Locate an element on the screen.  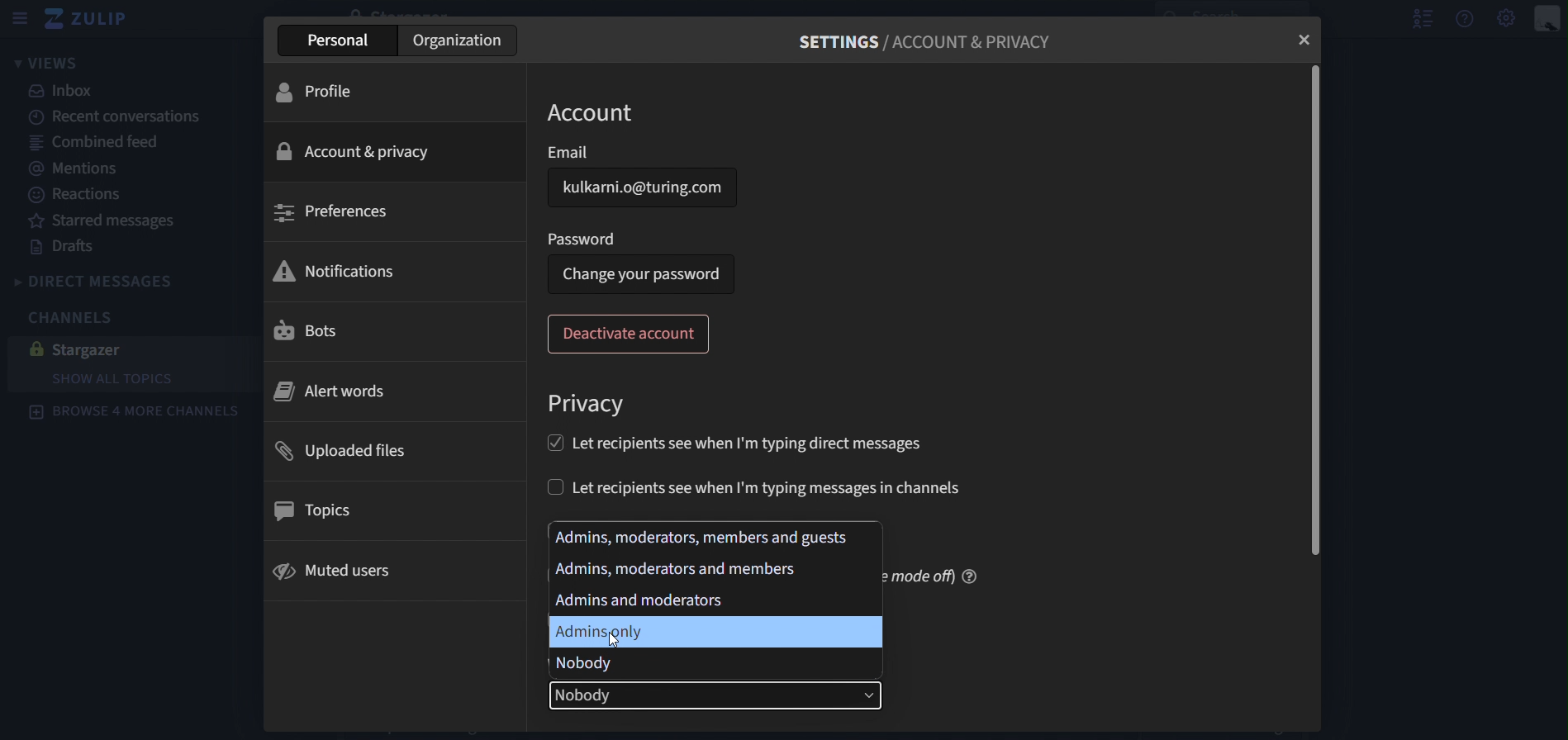
admins, moderators and members is located at coordinates (678, 567).